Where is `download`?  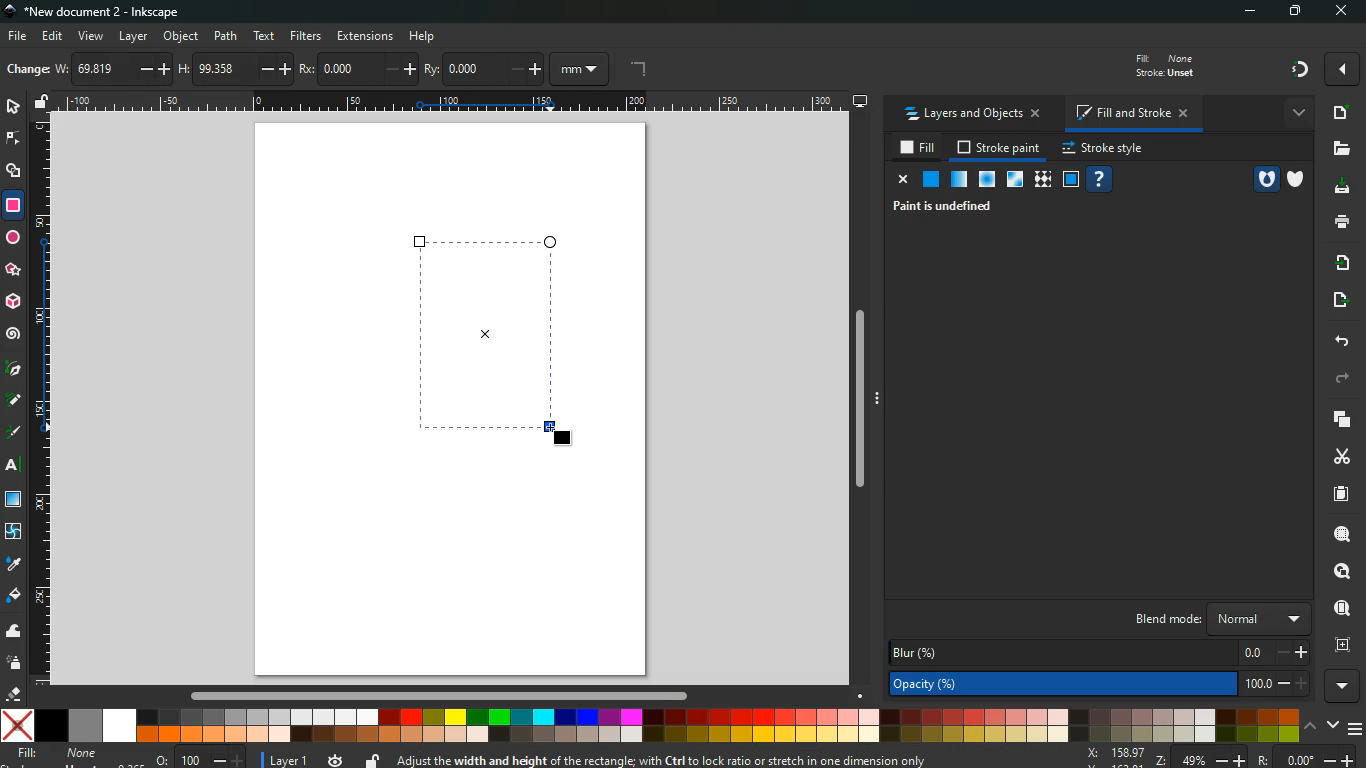
download is located at coordinates (1340, 188).